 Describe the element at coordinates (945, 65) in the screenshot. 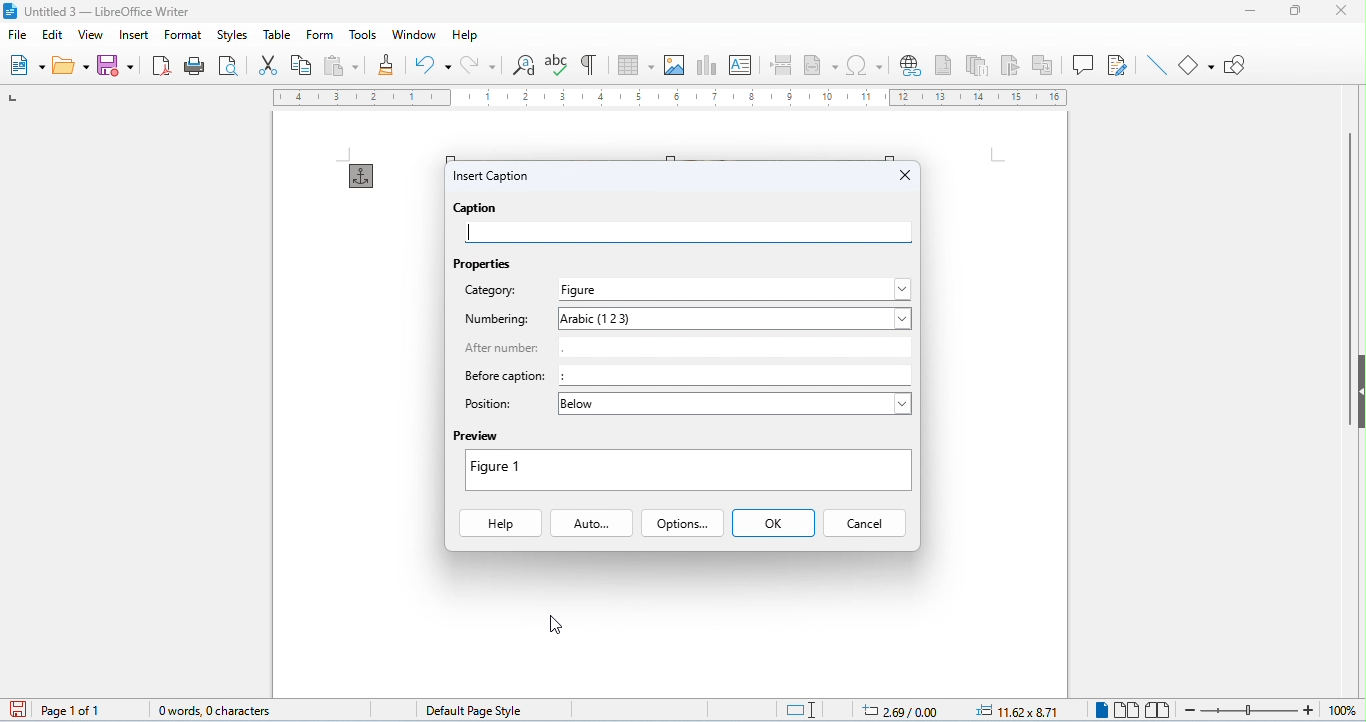

I see `insert footnote` at that location.